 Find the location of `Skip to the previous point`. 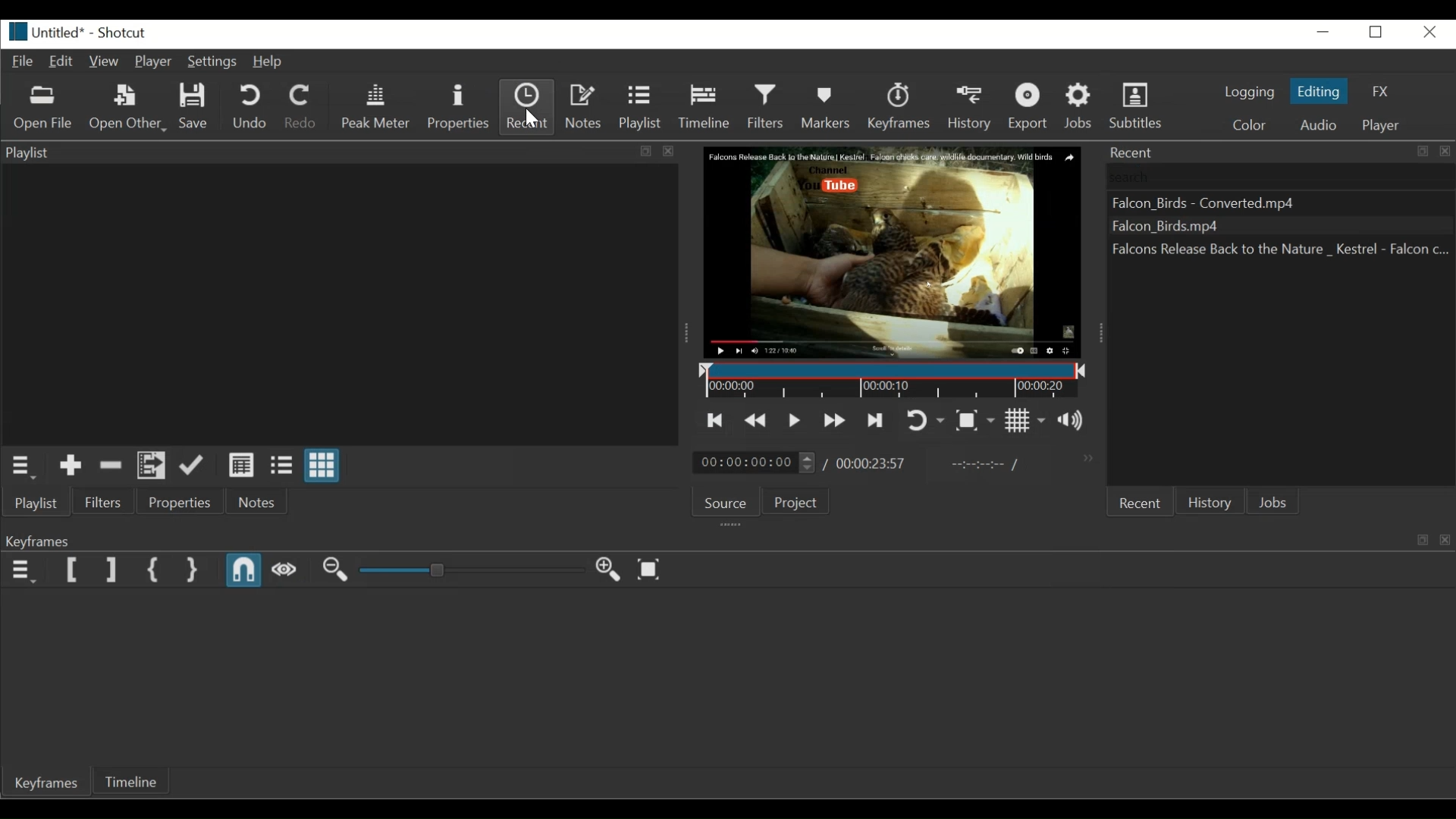

Skip to the previous point is located at coordinates (714, 421).